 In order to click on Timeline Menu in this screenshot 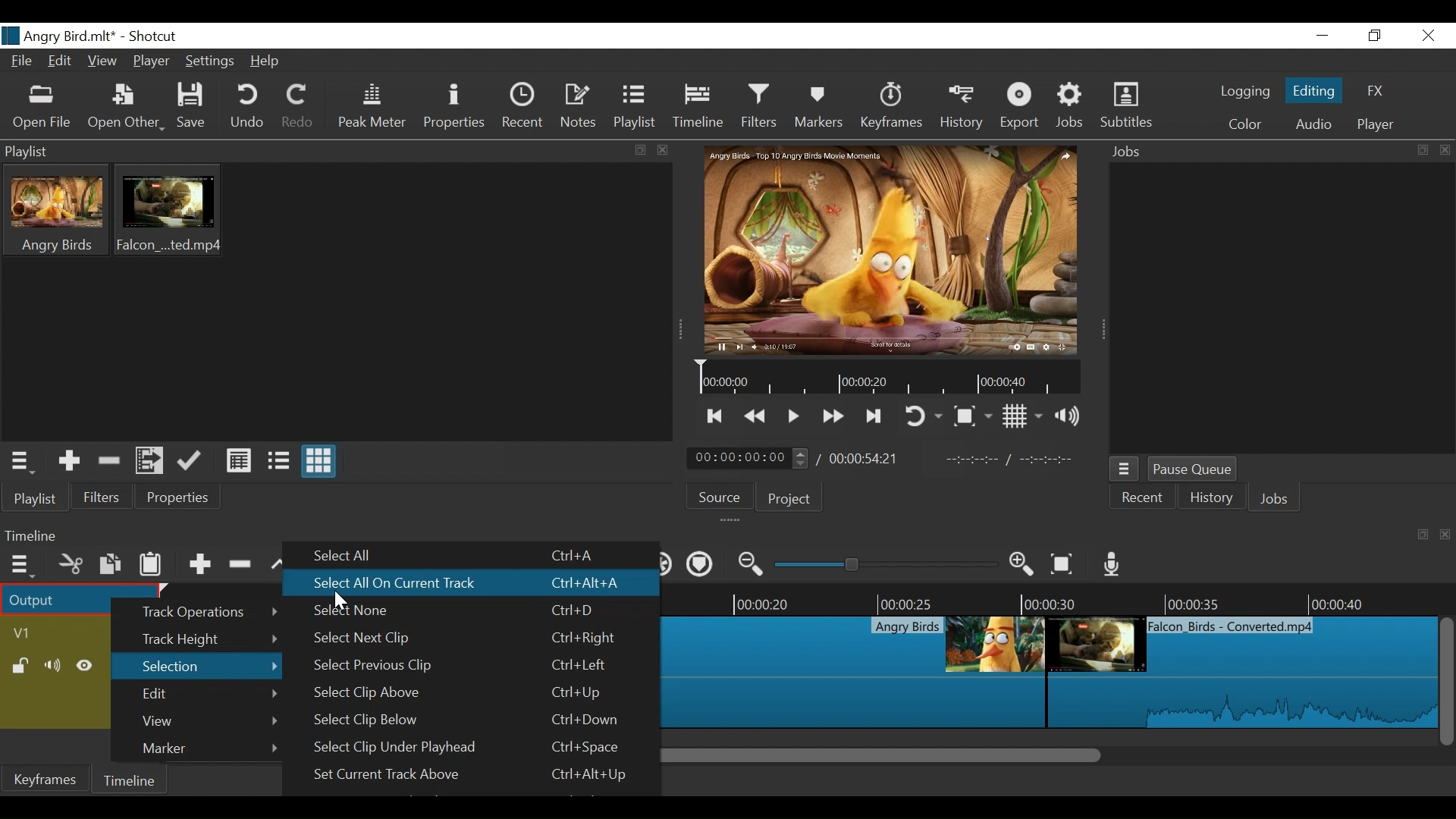, I will do `click(22, 565)`.